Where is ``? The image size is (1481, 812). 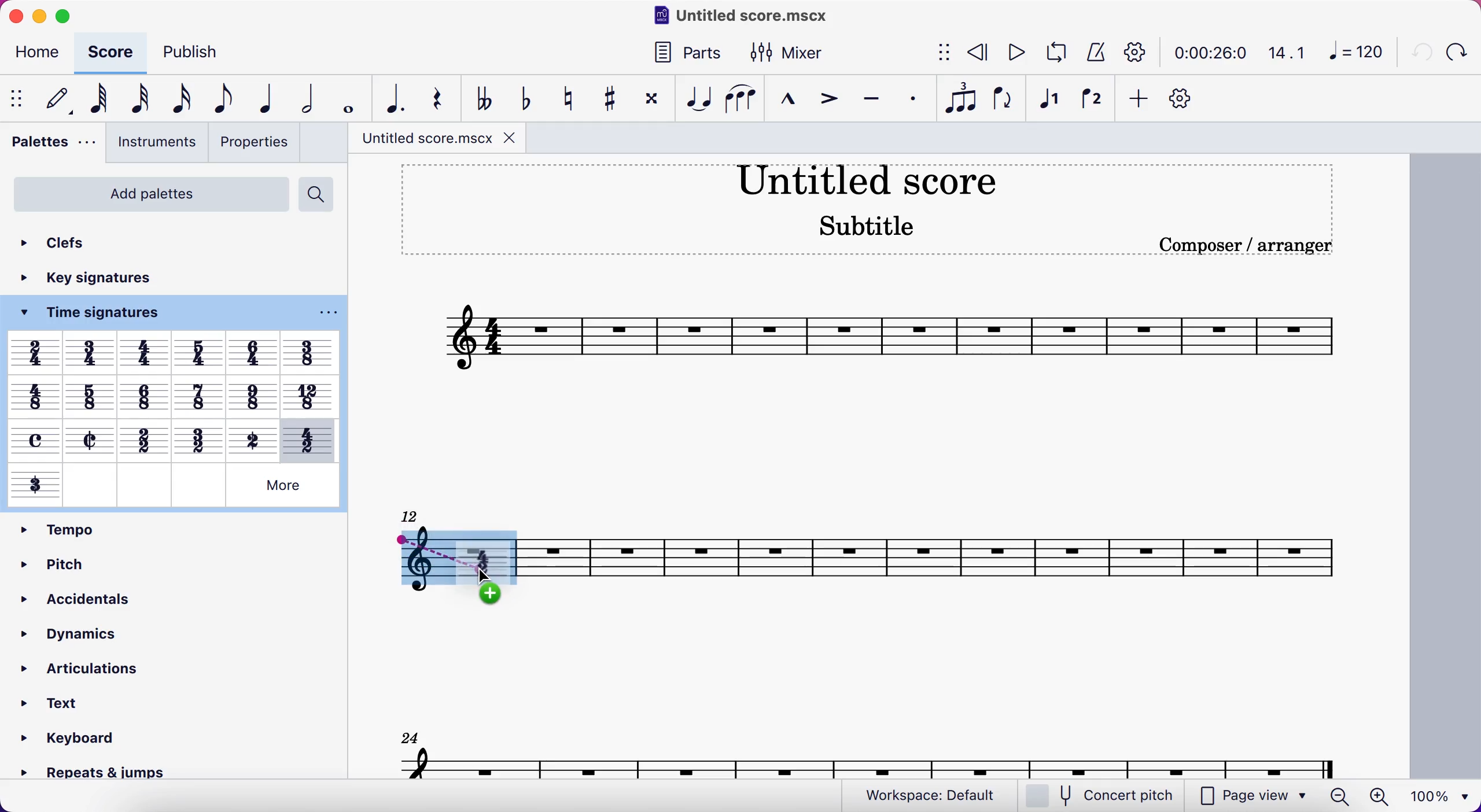  is located at coordinates (143, 394).